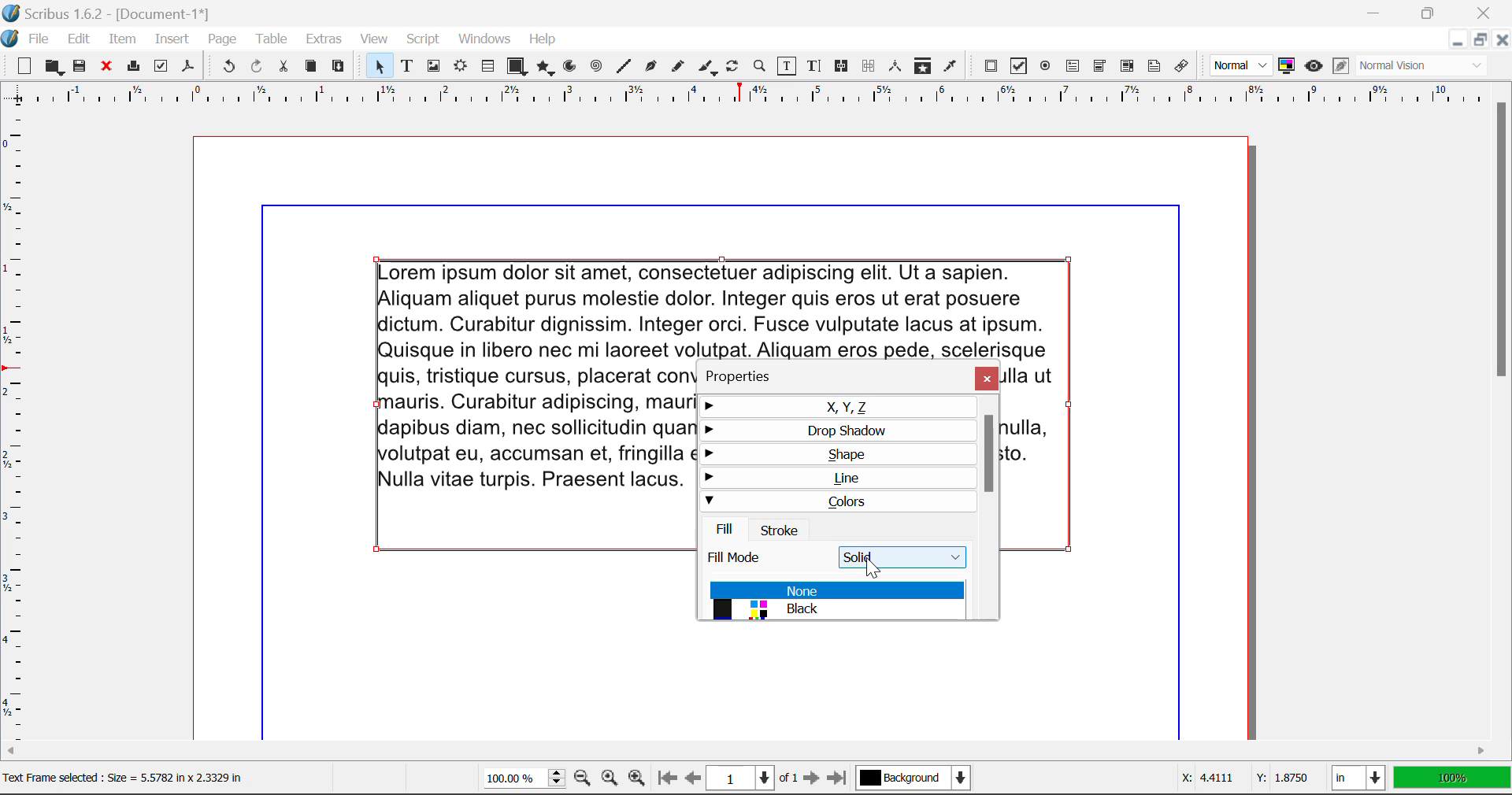  What do you see at coordinates (1185, 67) in the screenshot?
I see `Link Annotation` at bounding box center [1185, 67].